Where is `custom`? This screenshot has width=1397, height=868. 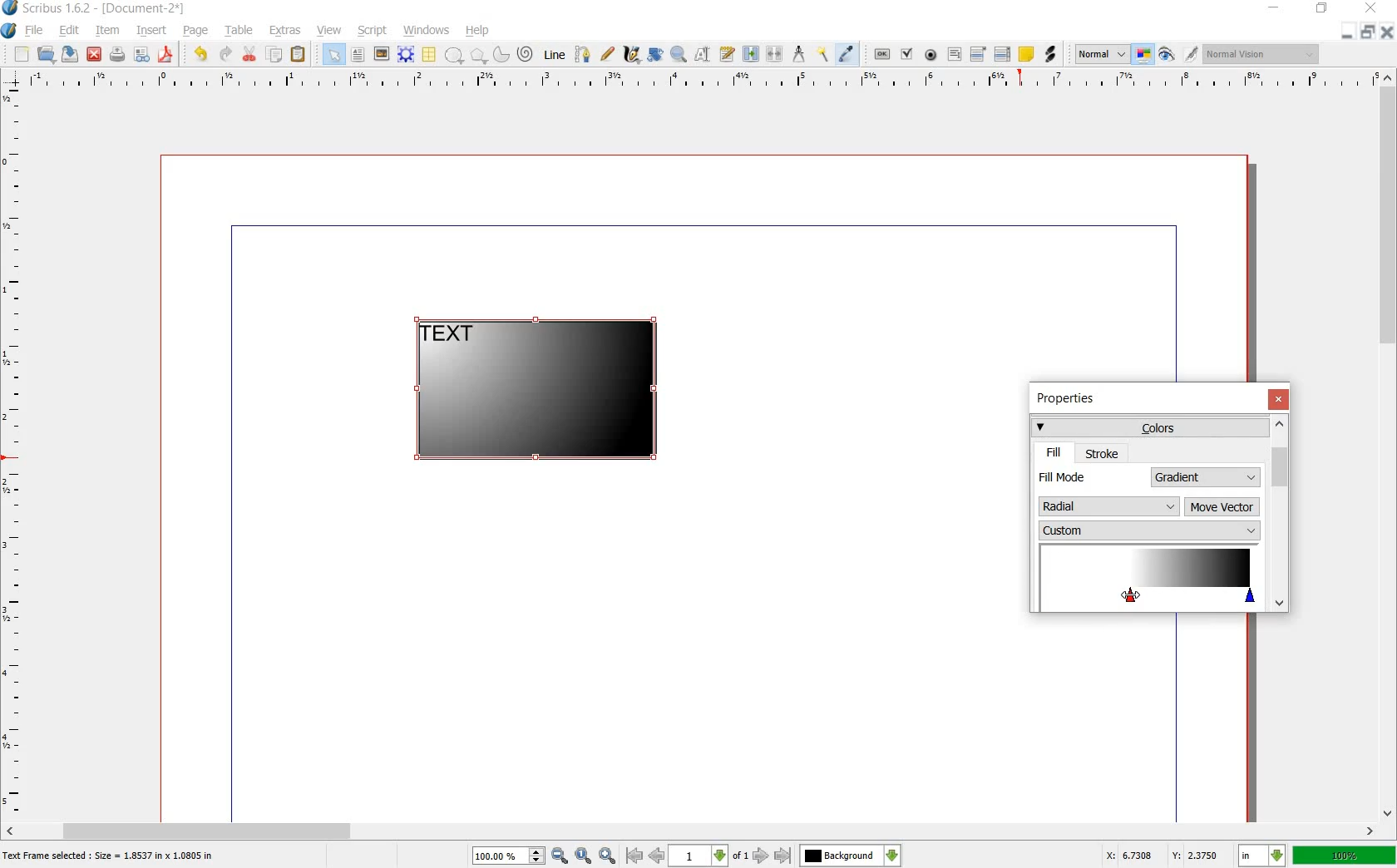
custom is located at coordinates (1148, 530).